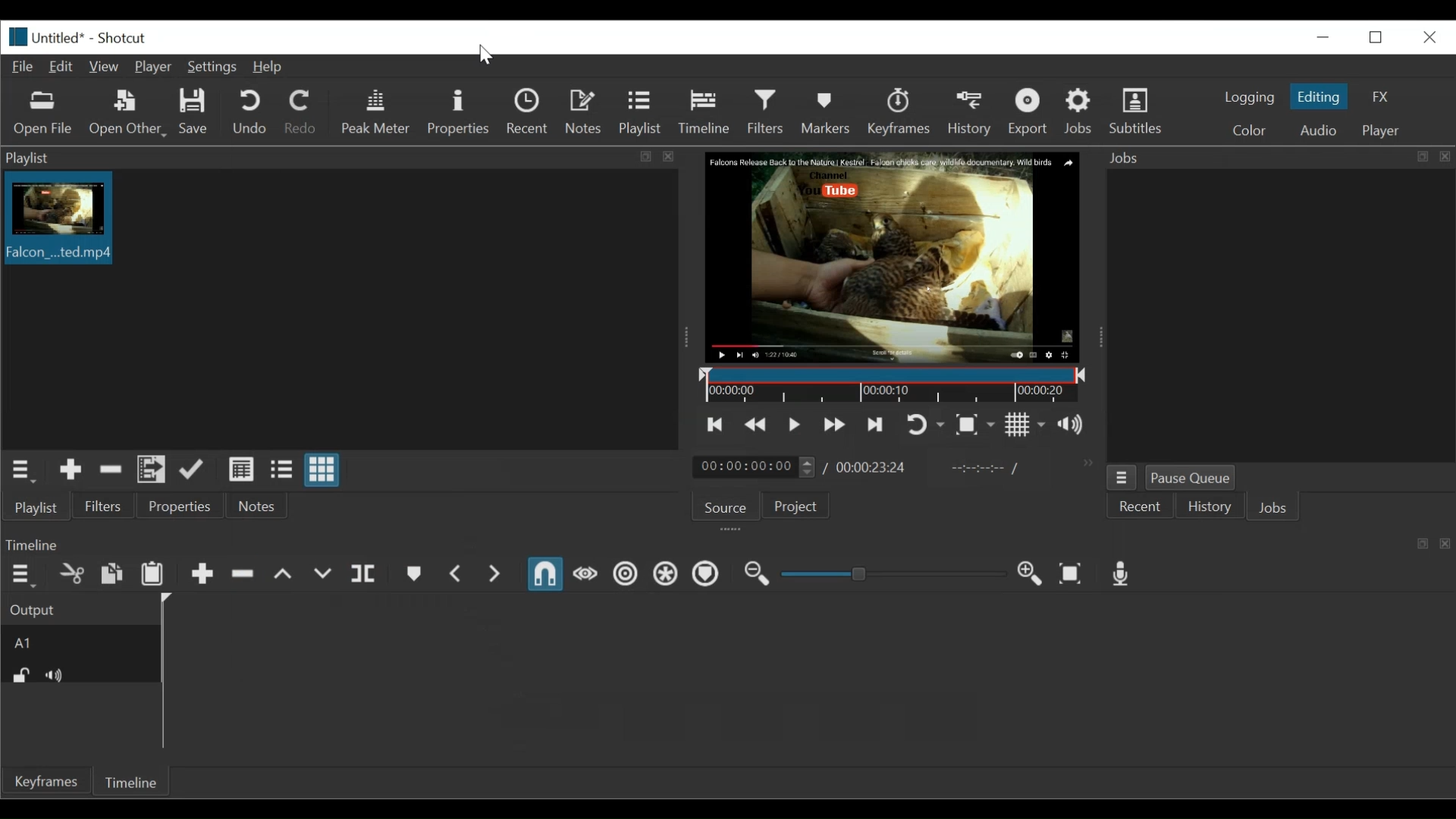 The width and height of the screenshot is (1456, 819). Describe the element at coordinates (1031, 574) in the screenshot. I see `Zoom timeline in` at that location.